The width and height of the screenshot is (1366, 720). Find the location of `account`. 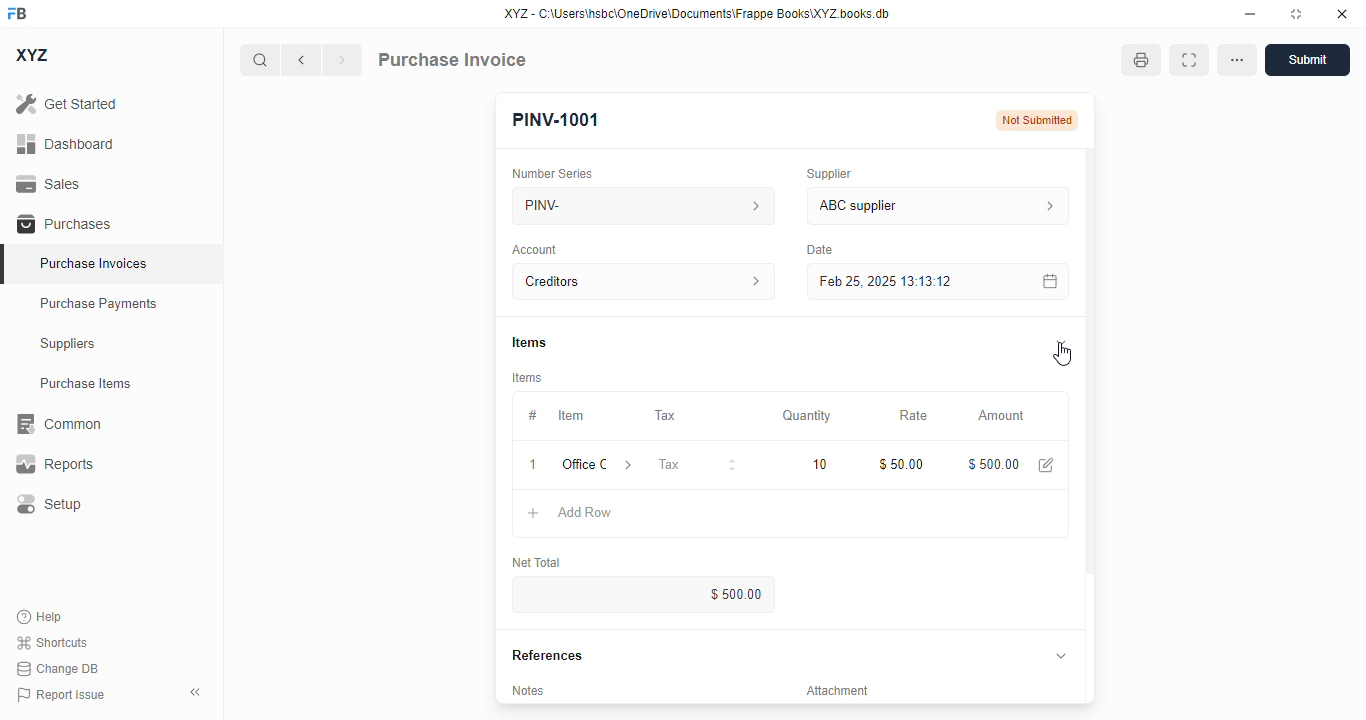

account is located at coordinates (536, 249).